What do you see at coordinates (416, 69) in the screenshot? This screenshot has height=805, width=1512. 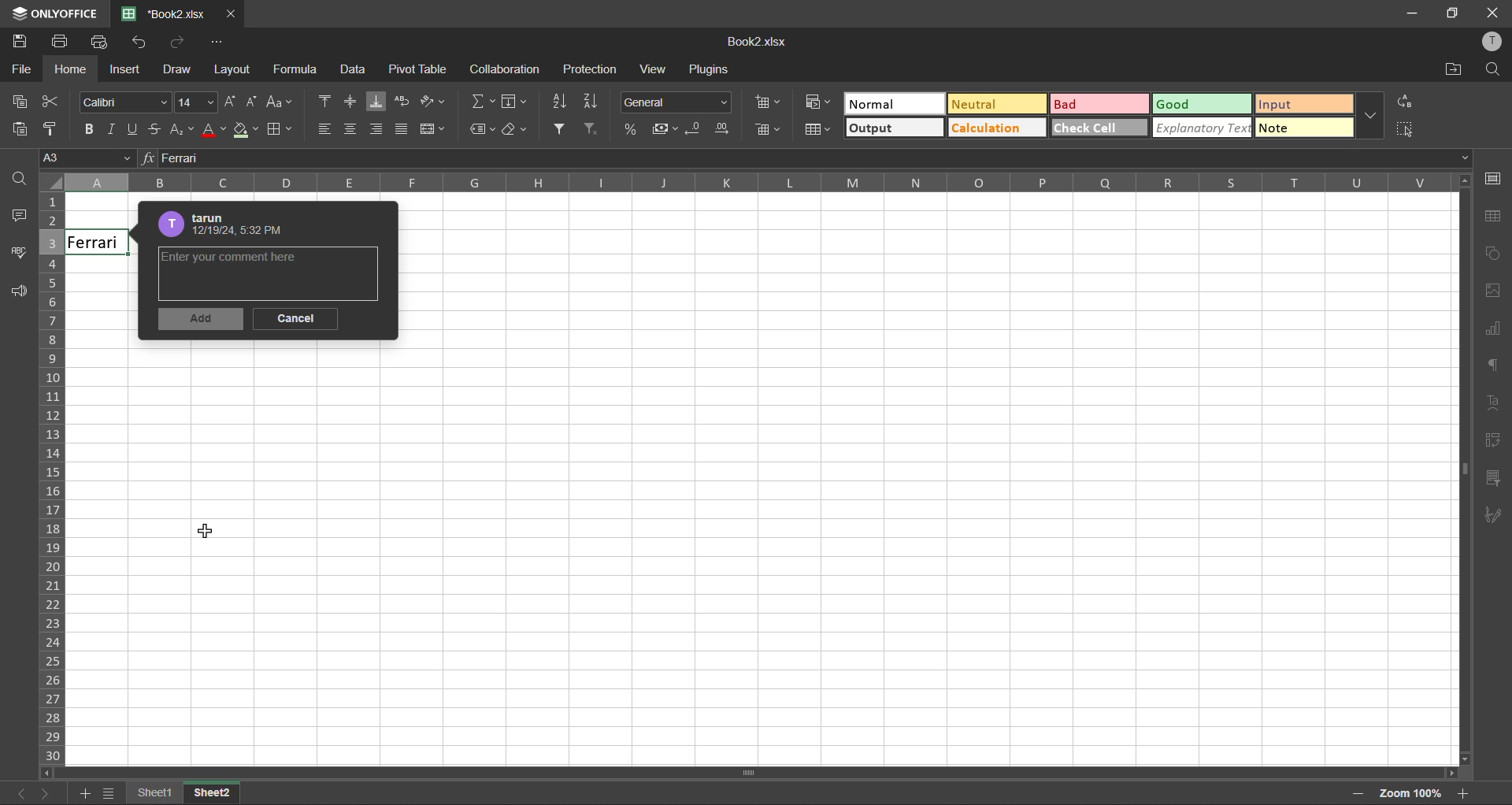 I see `pivot table` at bounding box center [416, 69].